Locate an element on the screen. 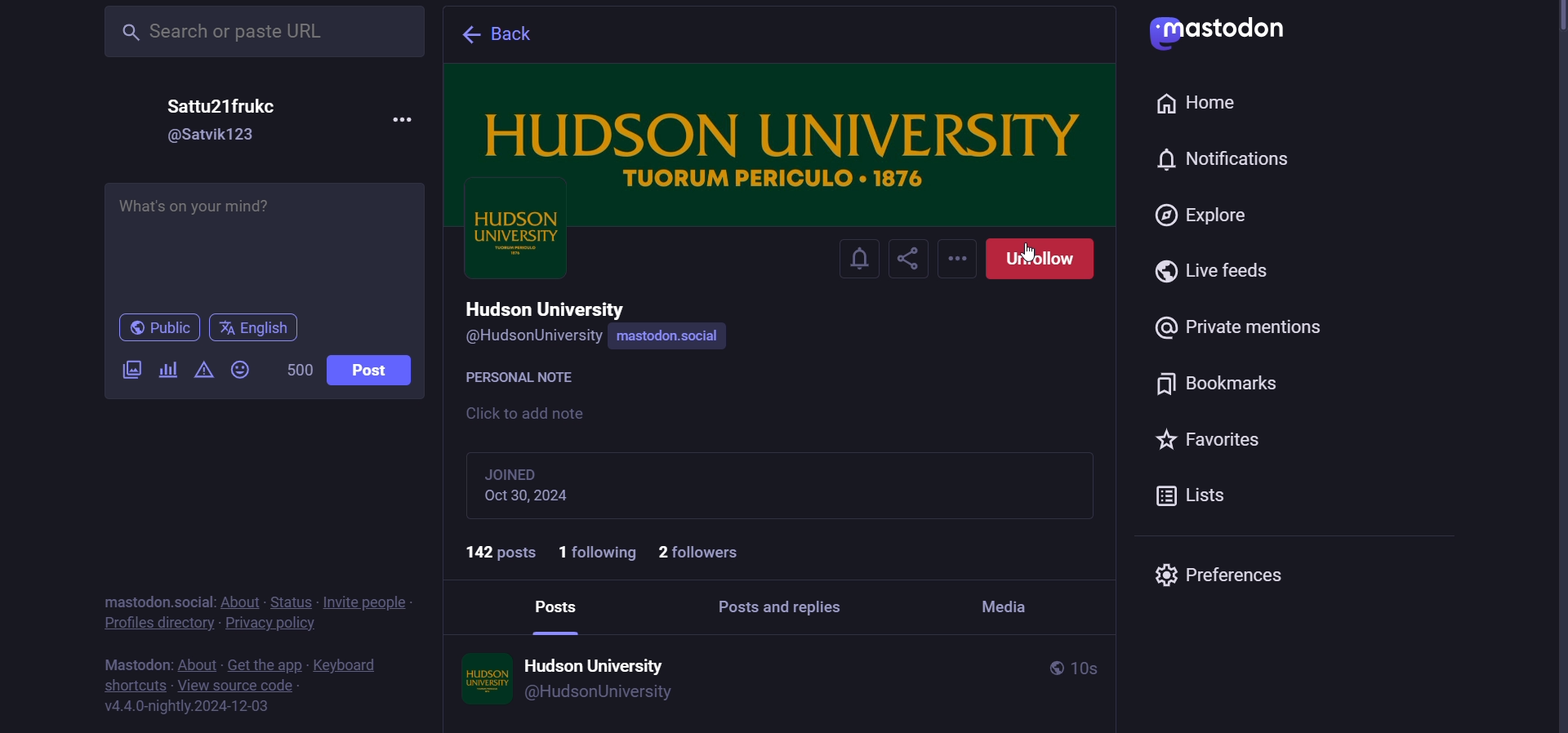  mastodon social is located at coordinates (670, 338).